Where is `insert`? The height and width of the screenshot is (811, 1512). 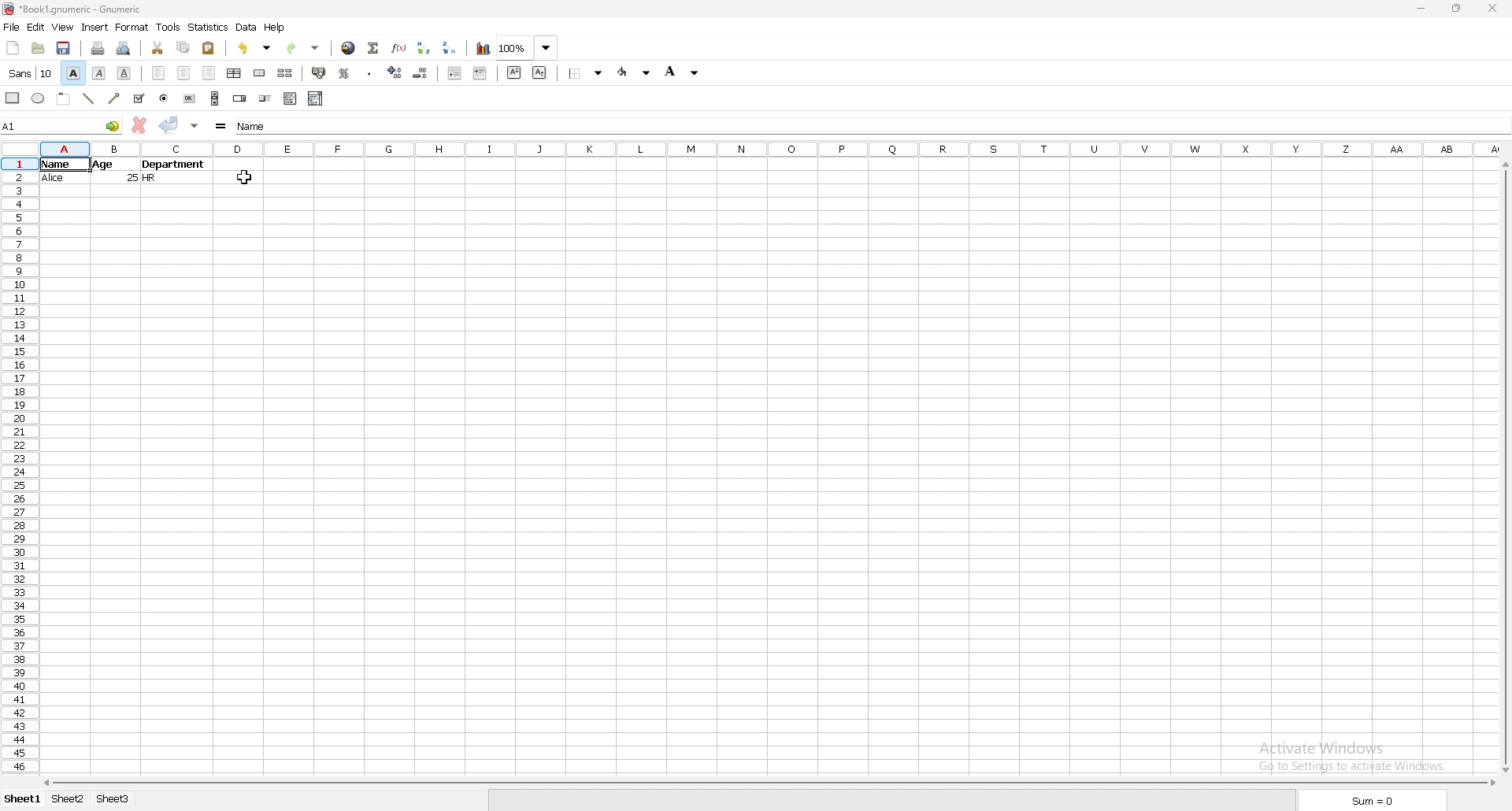
insert is located at coordinates (94, 28).